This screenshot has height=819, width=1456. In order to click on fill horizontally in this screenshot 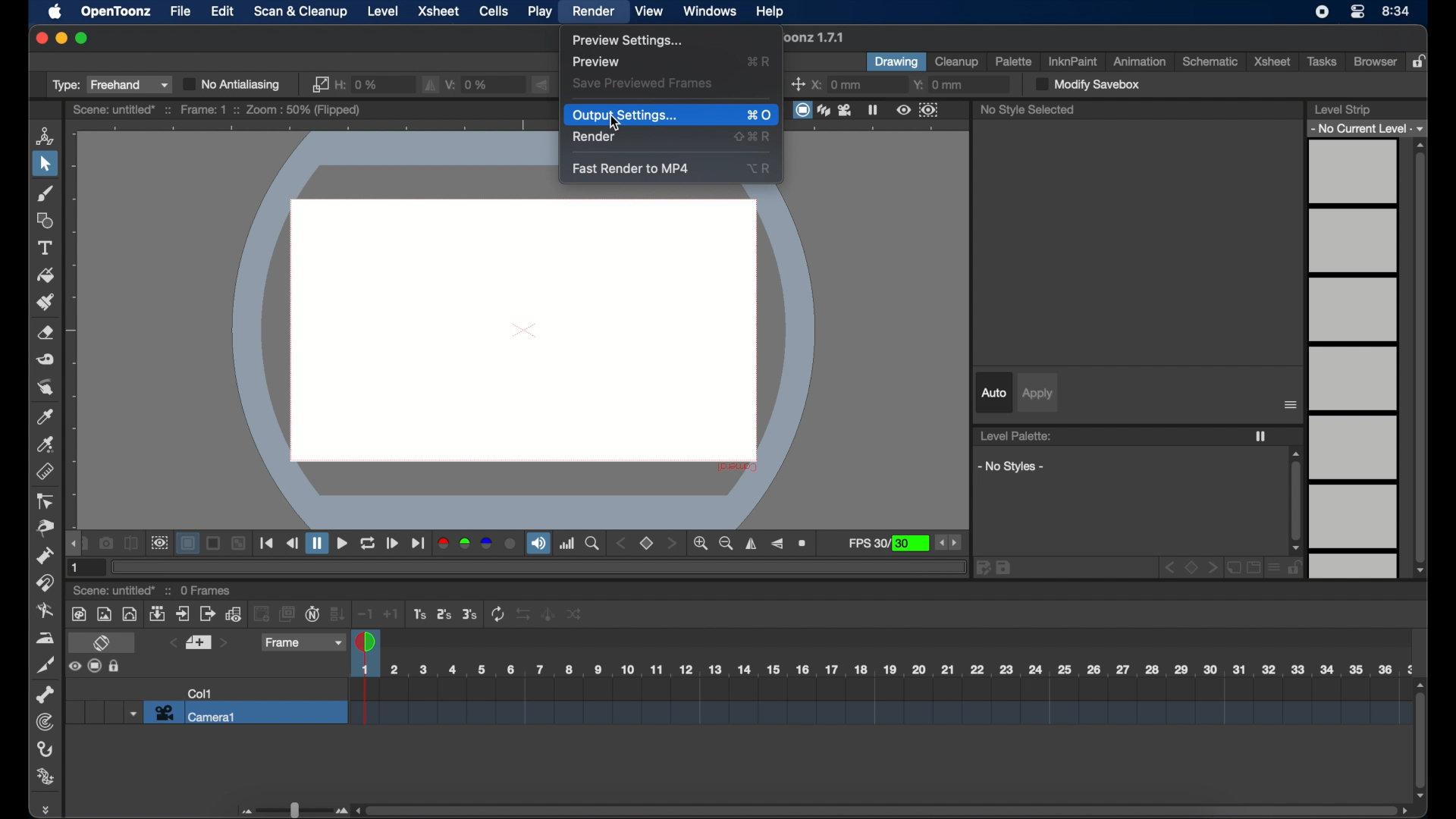, I will do `click(431, 84)`.